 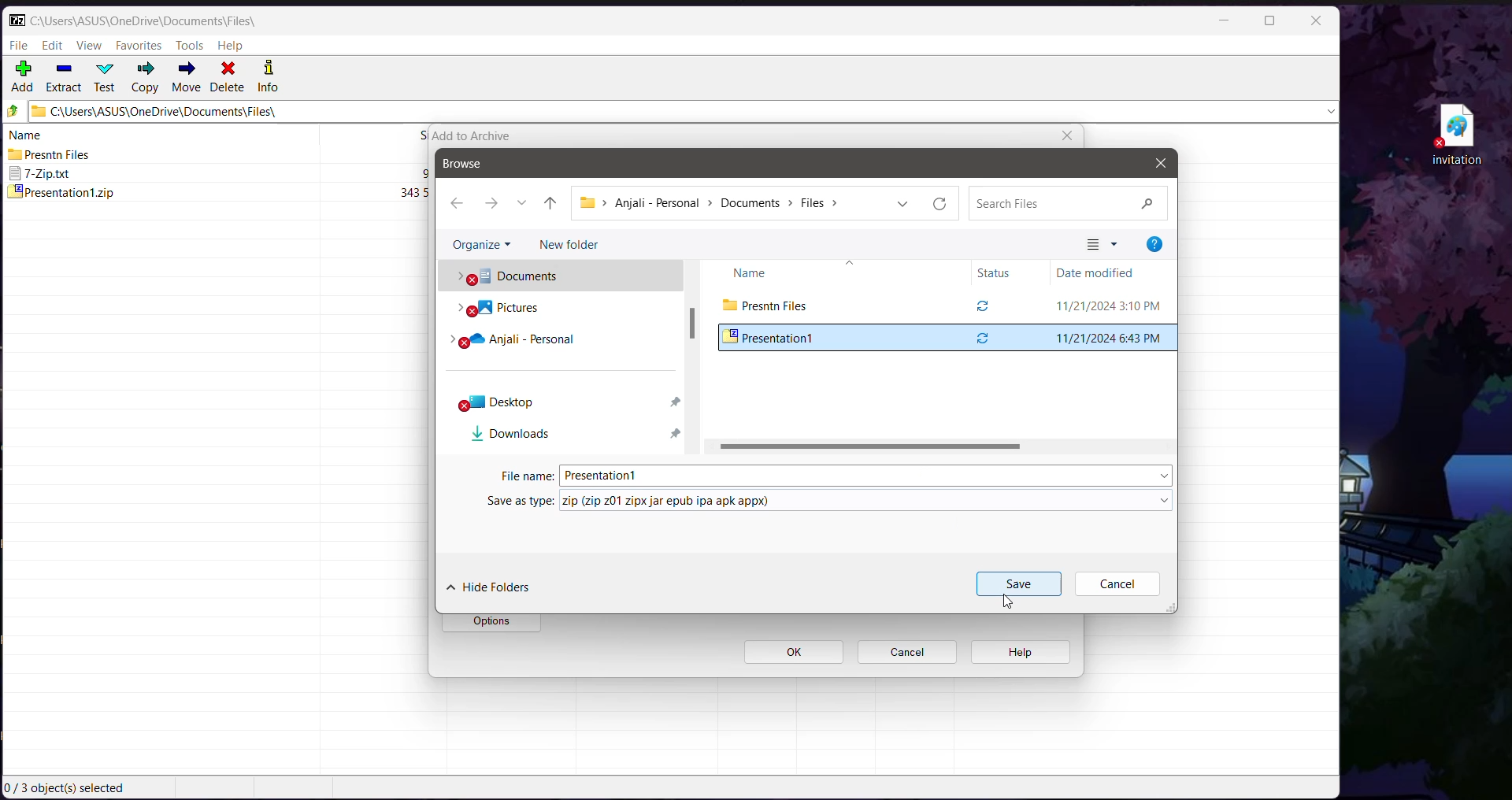 I want to click on Cursor, so click(x=1010, y=602).